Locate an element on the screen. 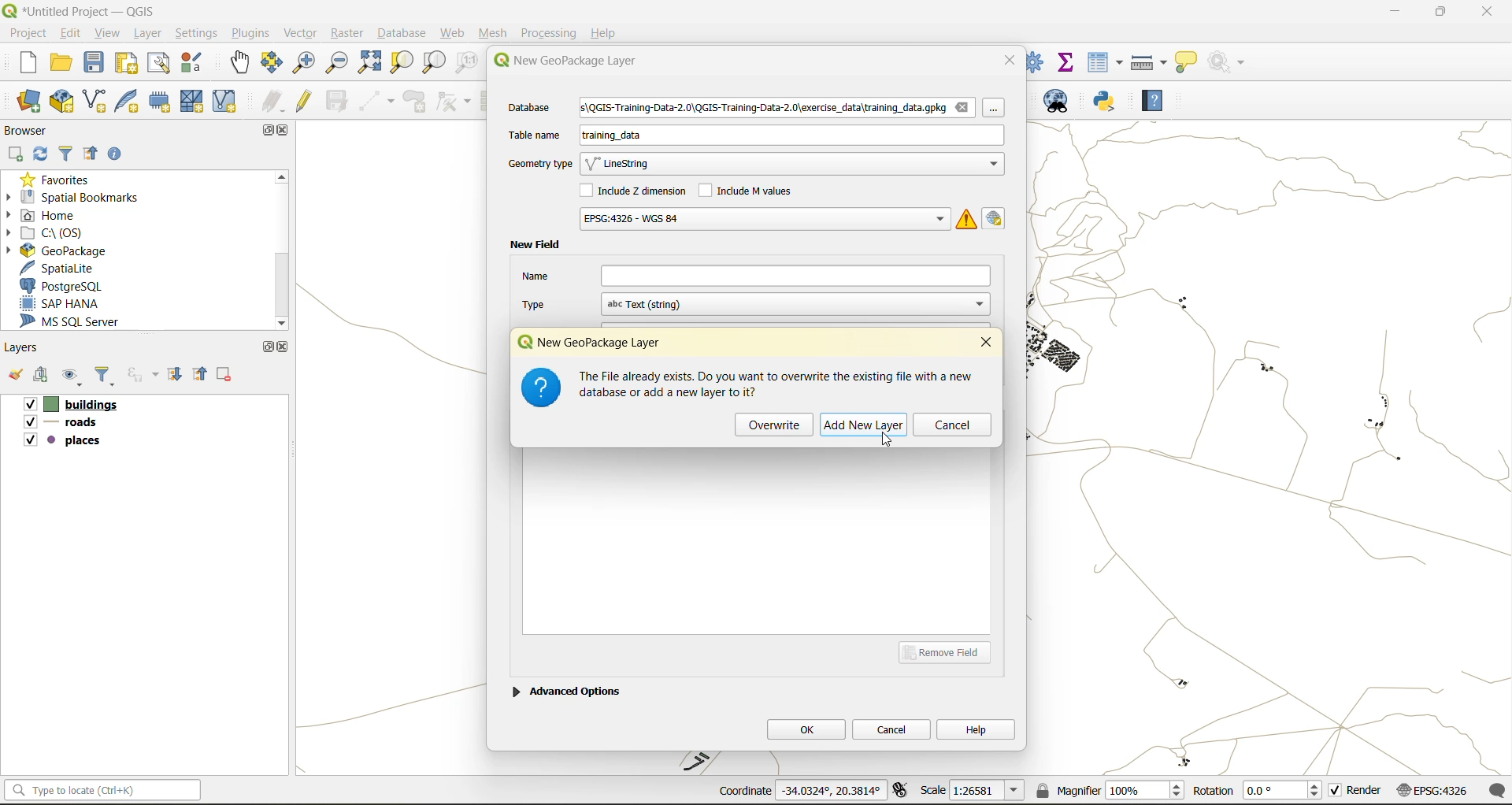  remove is located at coordinates (225, 377).